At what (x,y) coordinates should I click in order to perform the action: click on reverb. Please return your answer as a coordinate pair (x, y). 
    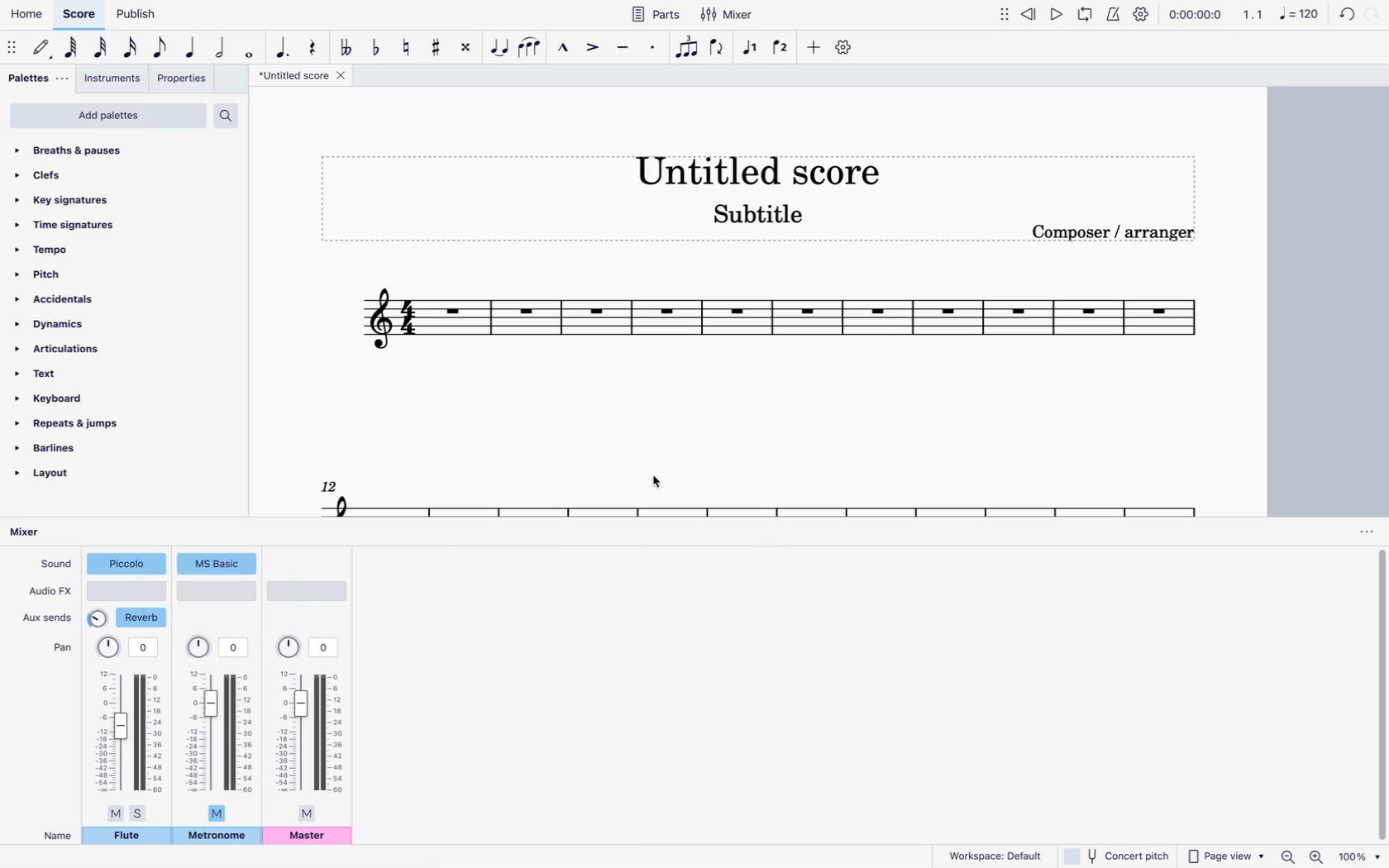
    Looking at the image, I should click on (129, 618).